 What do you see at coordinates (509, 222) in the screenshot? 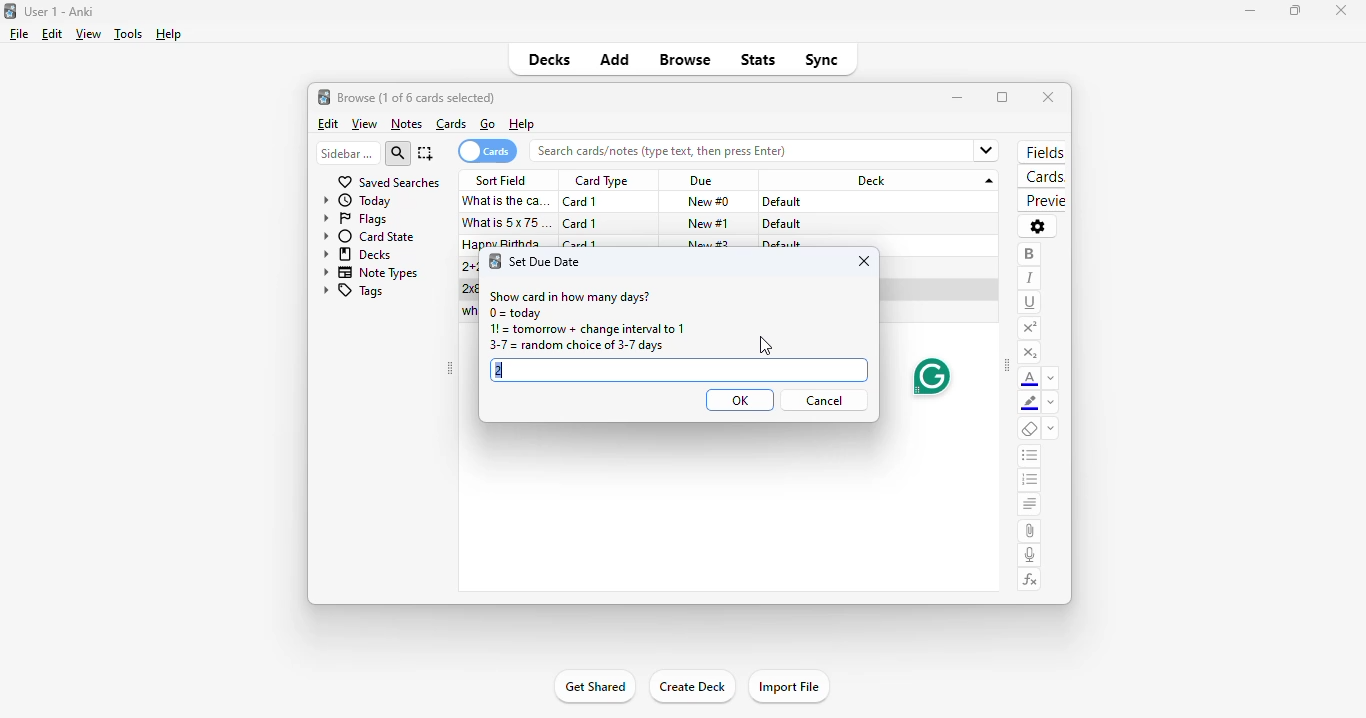
I see `what is 5x75=?` at bounding box center [509, 222].